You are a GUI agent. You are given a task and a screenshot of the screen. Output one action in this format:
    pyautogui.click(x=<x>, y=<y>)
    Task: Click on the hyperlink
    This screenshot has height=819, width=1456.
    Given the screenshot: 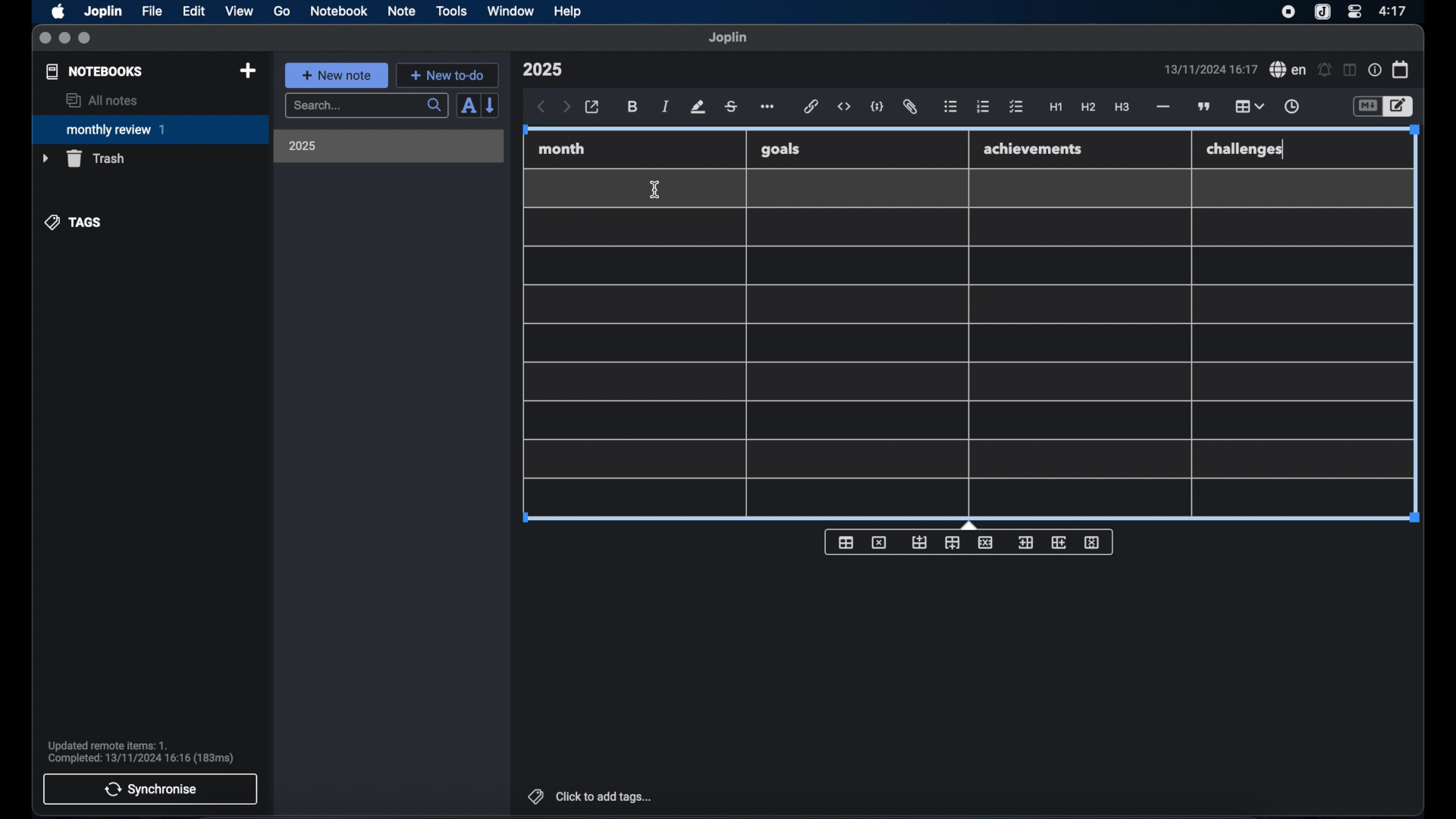 What is the action you would take?
    pyautogui.click(x=811, y=106)
    